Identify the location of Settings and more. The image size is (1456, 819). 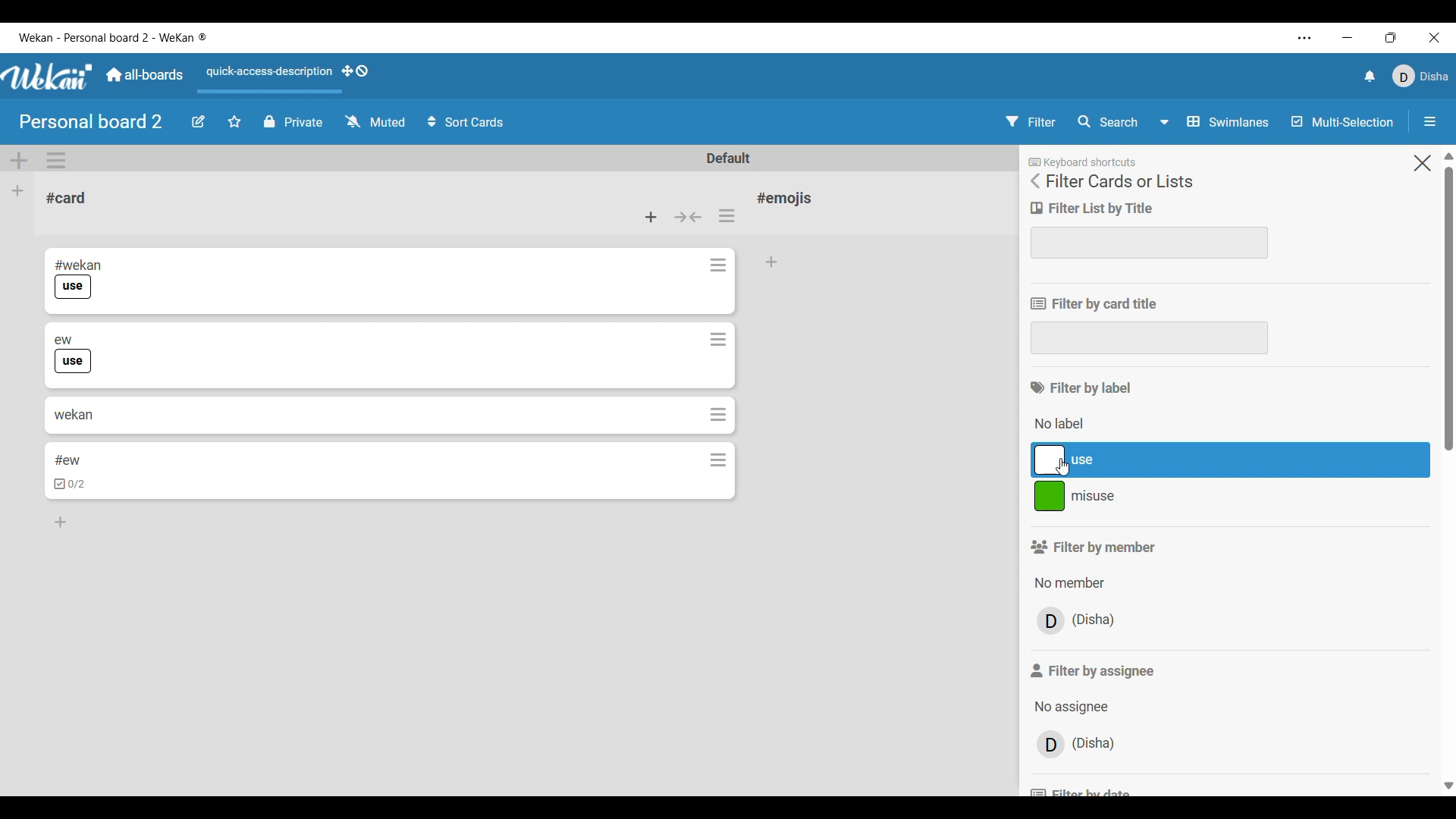
(1305, 38).